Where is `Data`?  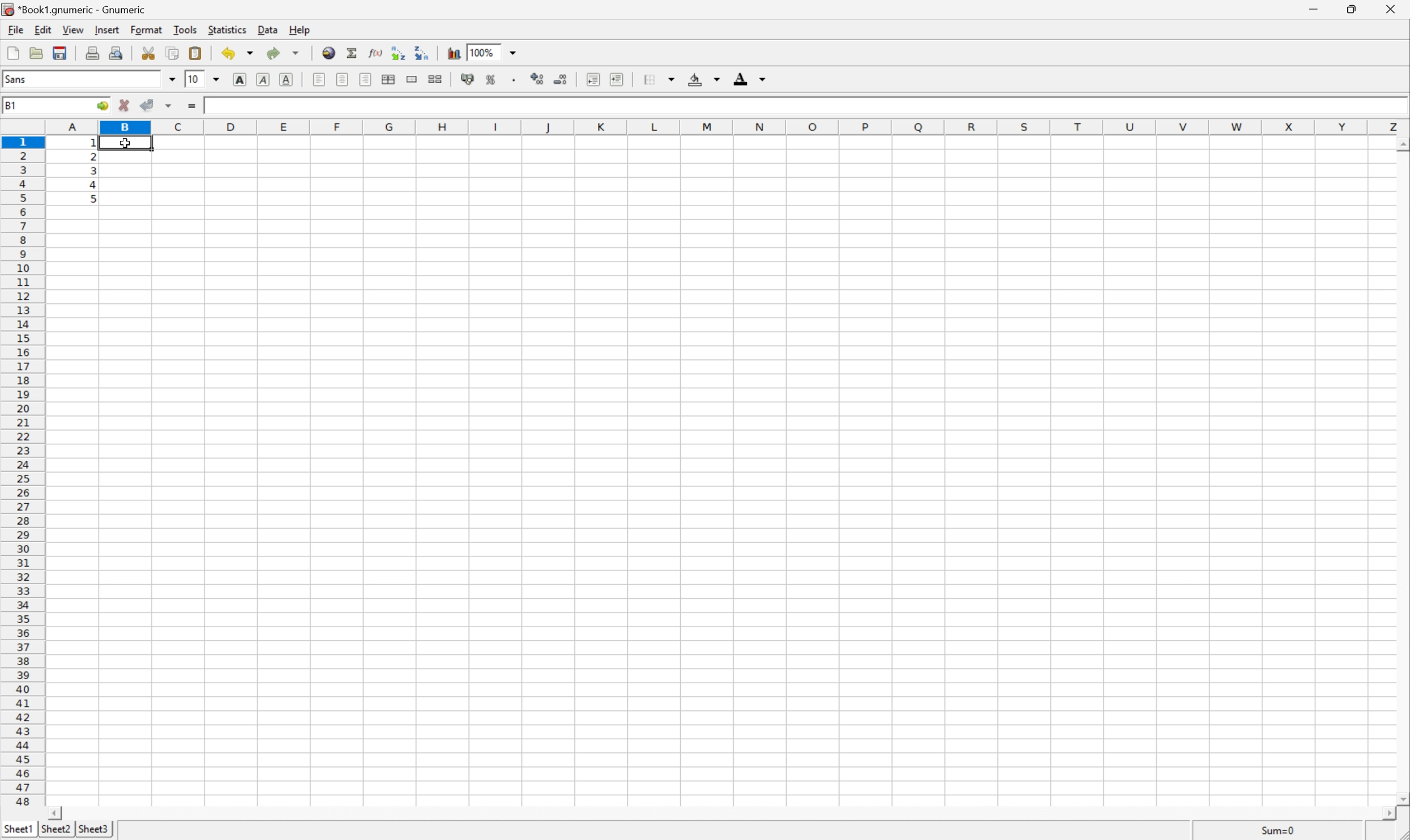
Data is located at coordinates (269, 29).